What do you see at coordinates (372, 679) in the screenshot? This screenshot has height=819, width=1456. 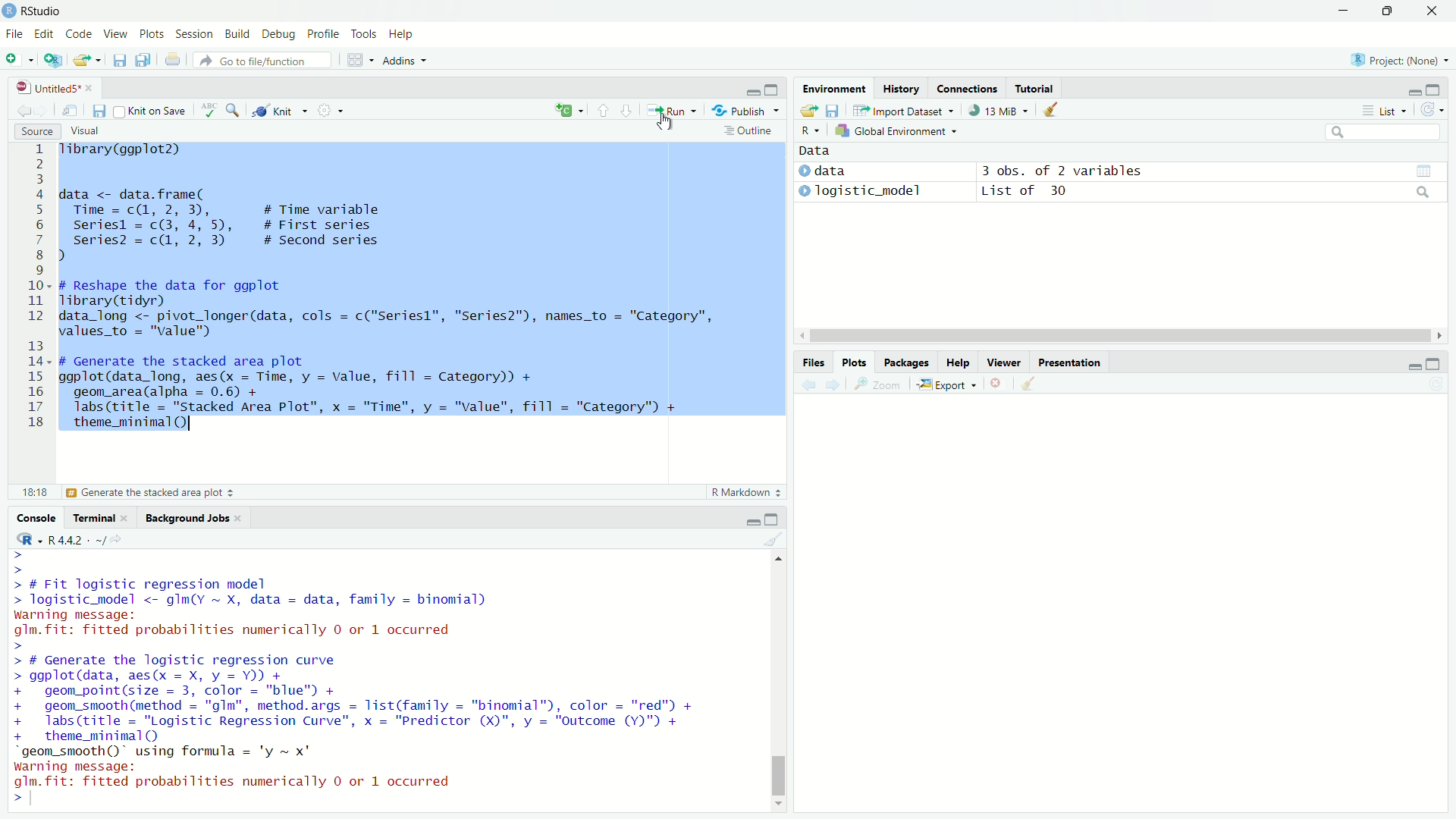 I see `>

>

> # Fit logistic regression model

> logistic_model <- gIm(Y ~ X, data = data, family = binomial)

warning message:

glm. fit: fitted probabilities numerically 0 or 1 occurred

>

> # Generate the logistic regression curve

> ggplot(data, aes(x = X, y = Y)) +

+ geom_point(size = 3, color = "blue") +

+ geom_smooth(method = "gIm", method.args = list(family = "binomial"), color = "red") +
+ labs(title = "Logistic Regression Curve", x = "Predictor (X)", y = "Outcome (Y)") +
+ theme_minimal()

“geom_smooth()" using formula = 'y ~ x'

warning message:

glm.fit: fitted probabilities numerically 0 or 1 occurred

< |` at bounding box center [372, 679].